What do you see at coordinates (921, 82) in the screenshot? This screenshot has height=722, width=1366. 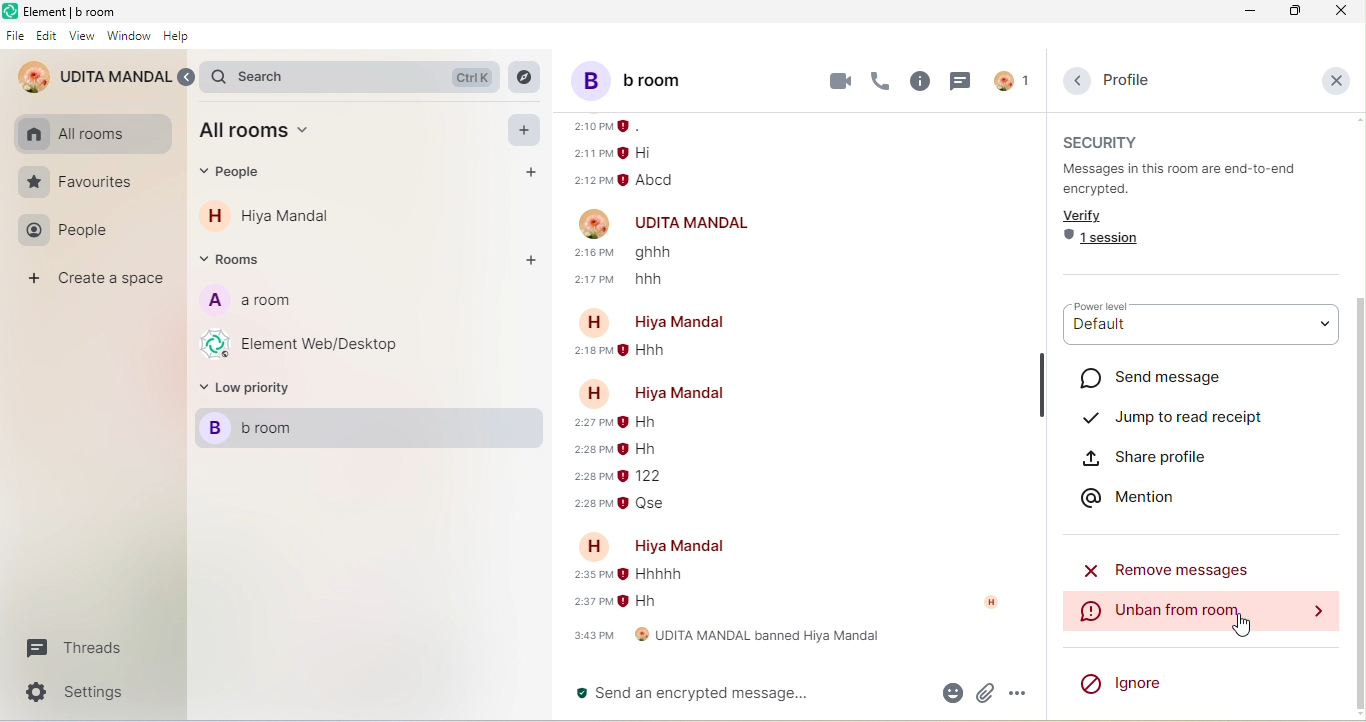 I see `room info` at bounding box center [921, 82].